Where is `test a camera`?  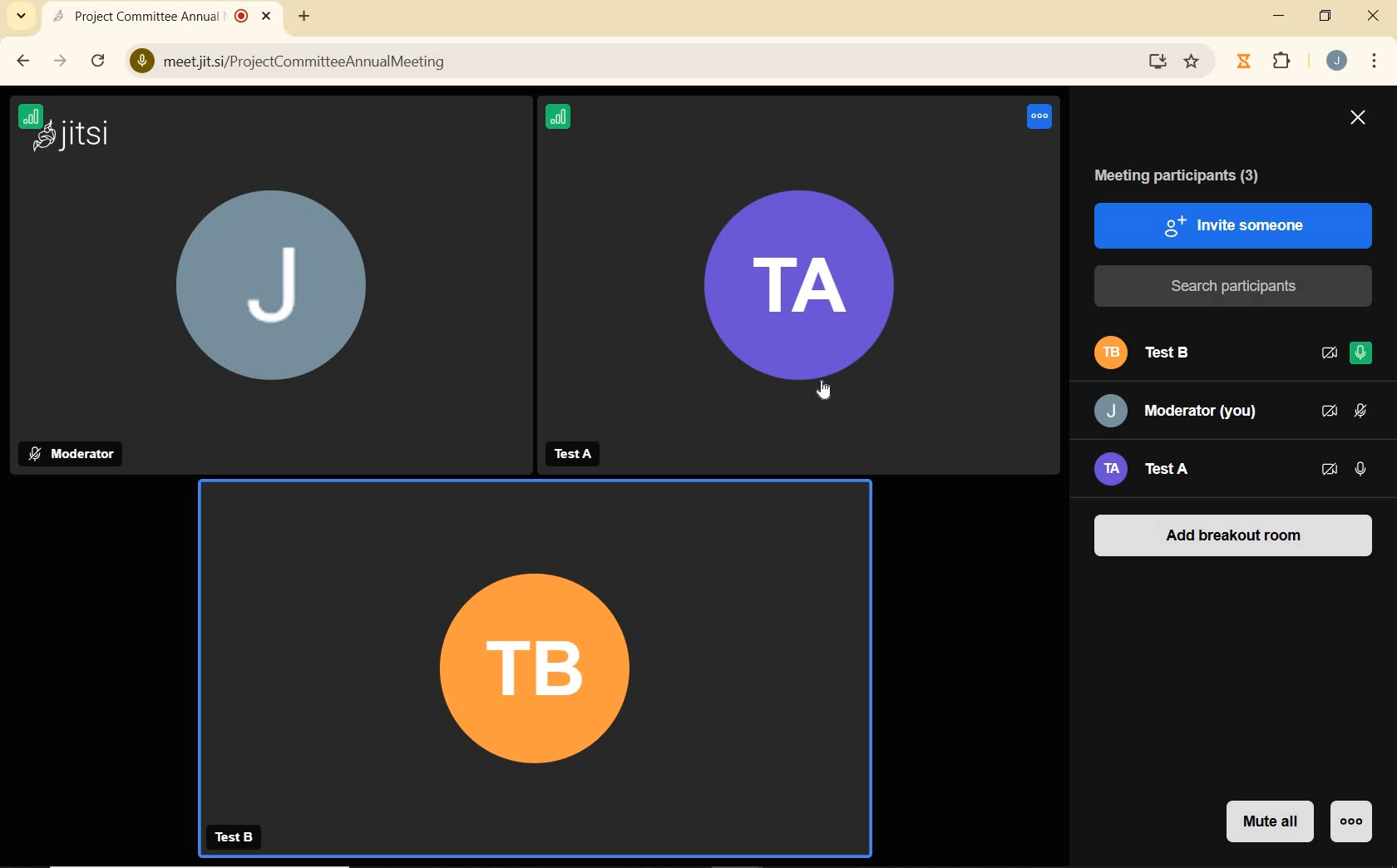 test a camera is located at coordinates (801, 303).